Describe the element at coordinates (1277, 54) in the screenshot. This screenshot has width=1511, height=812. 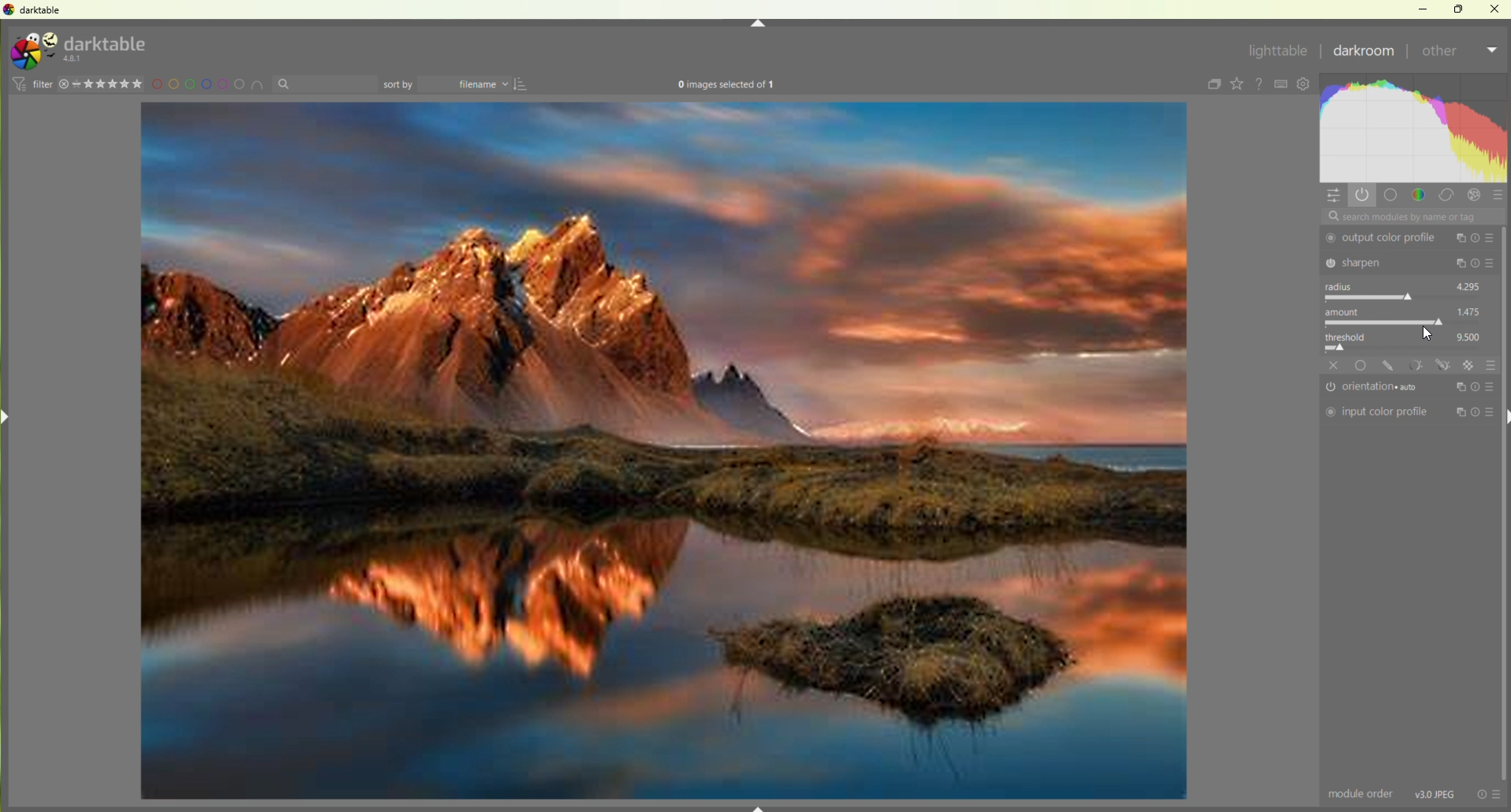
I see `lighttable` at that location.